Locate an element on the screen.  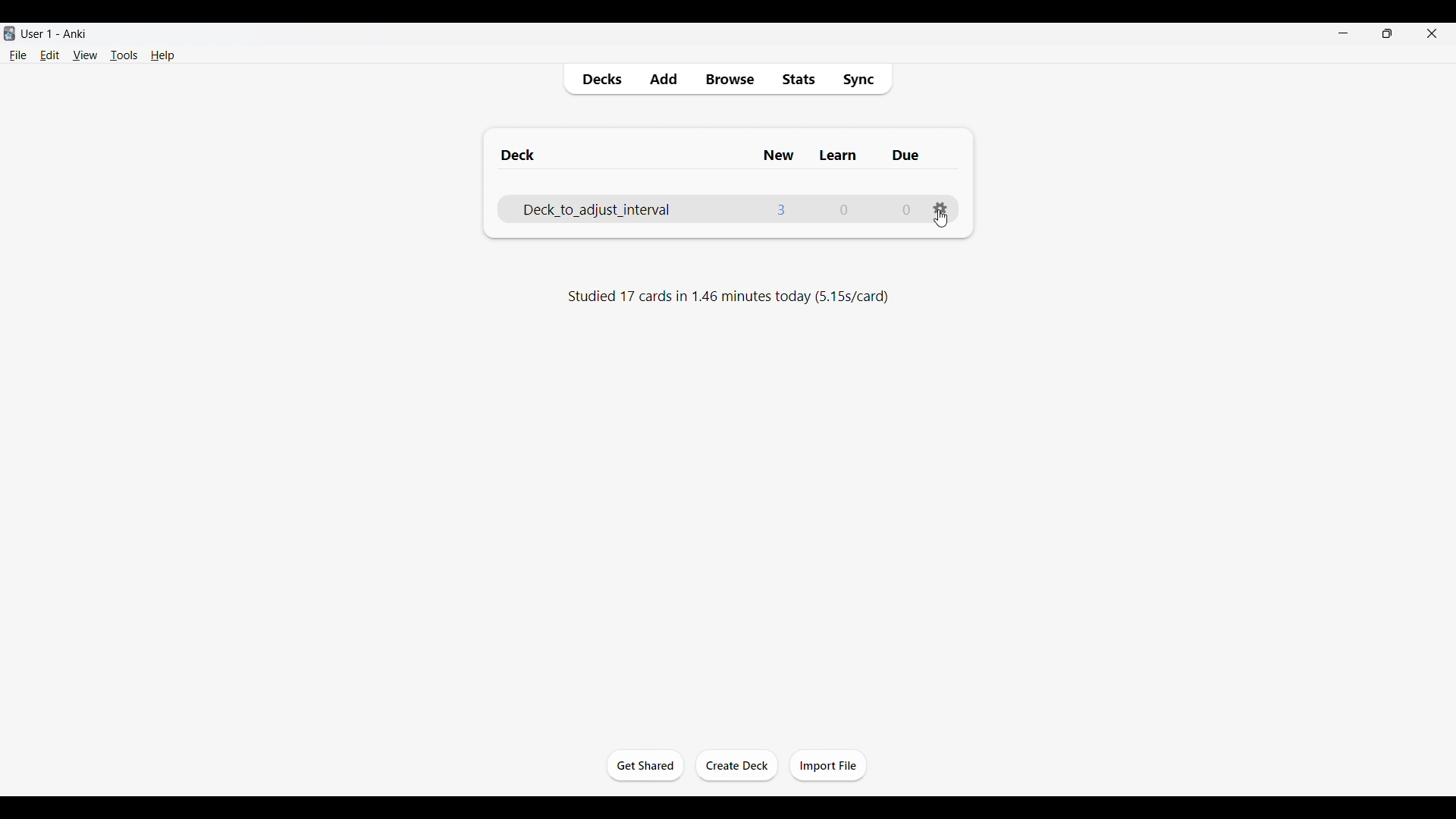
Get started is located at coordinates (645, 766).